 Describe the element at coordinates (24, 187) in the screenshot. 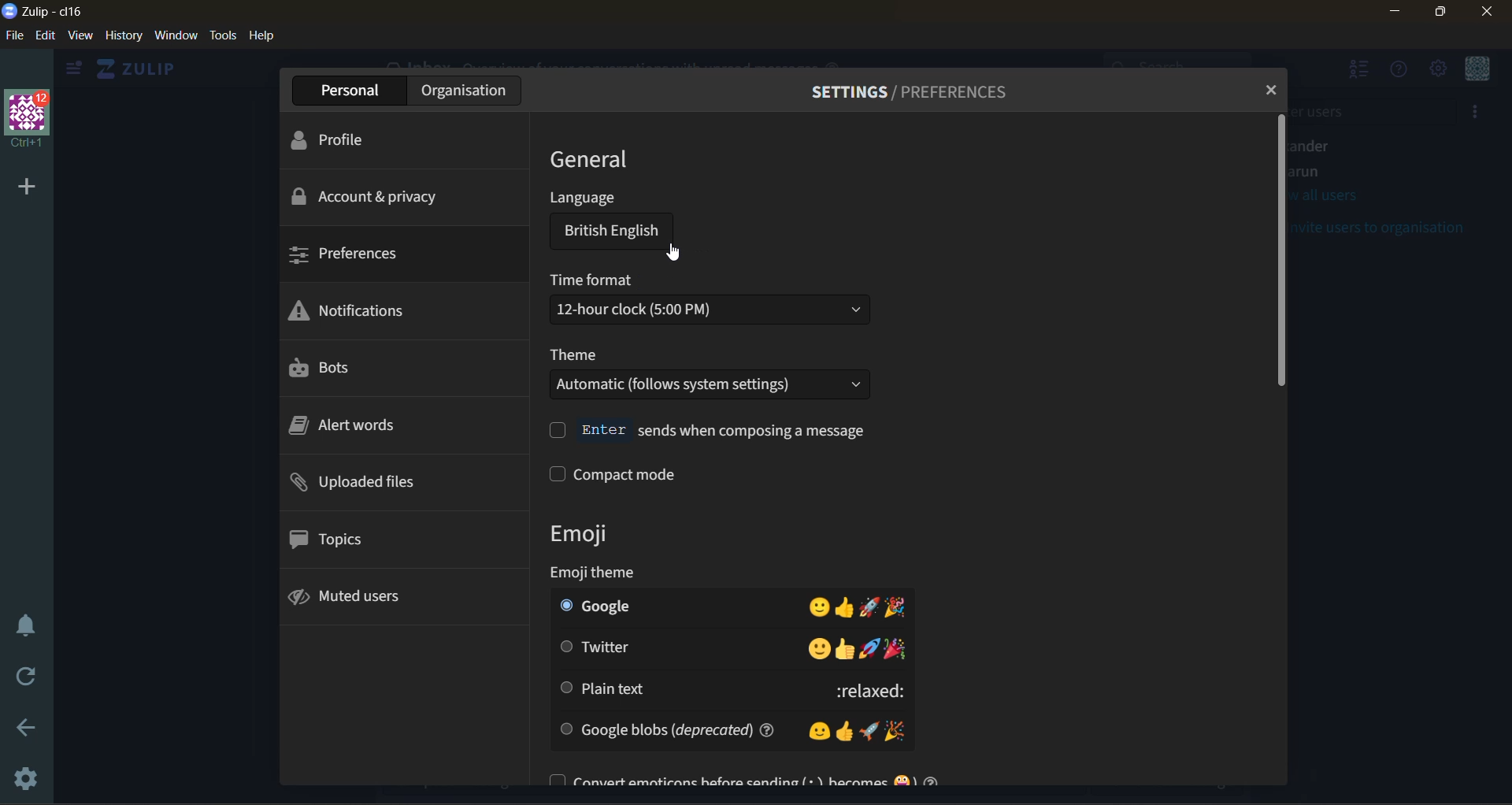

I see `add organisation` at that location.